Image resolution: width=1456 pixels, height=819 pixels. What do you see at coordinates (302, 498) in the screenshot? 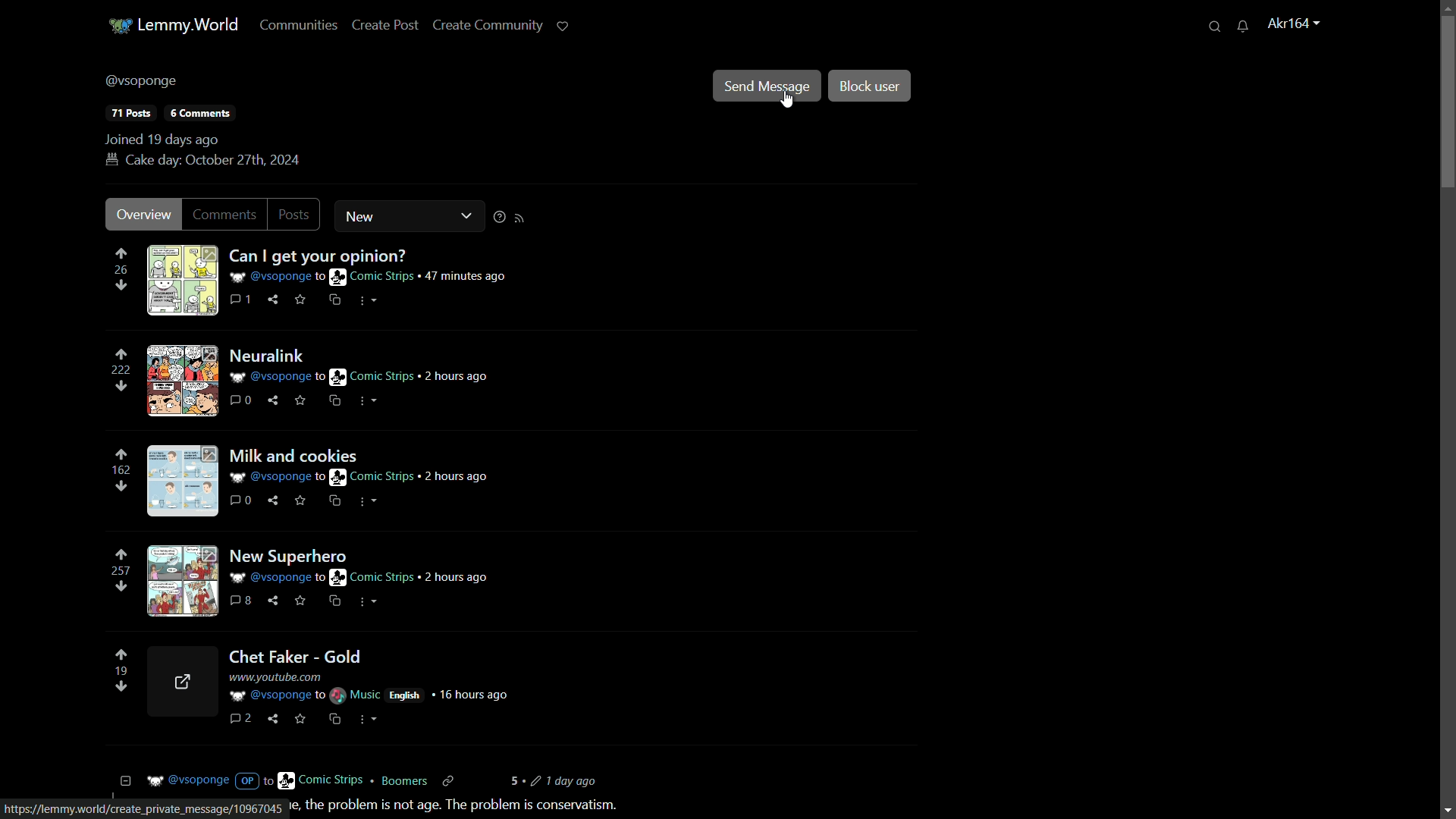
I see `save` at bounding box center [302, 498].